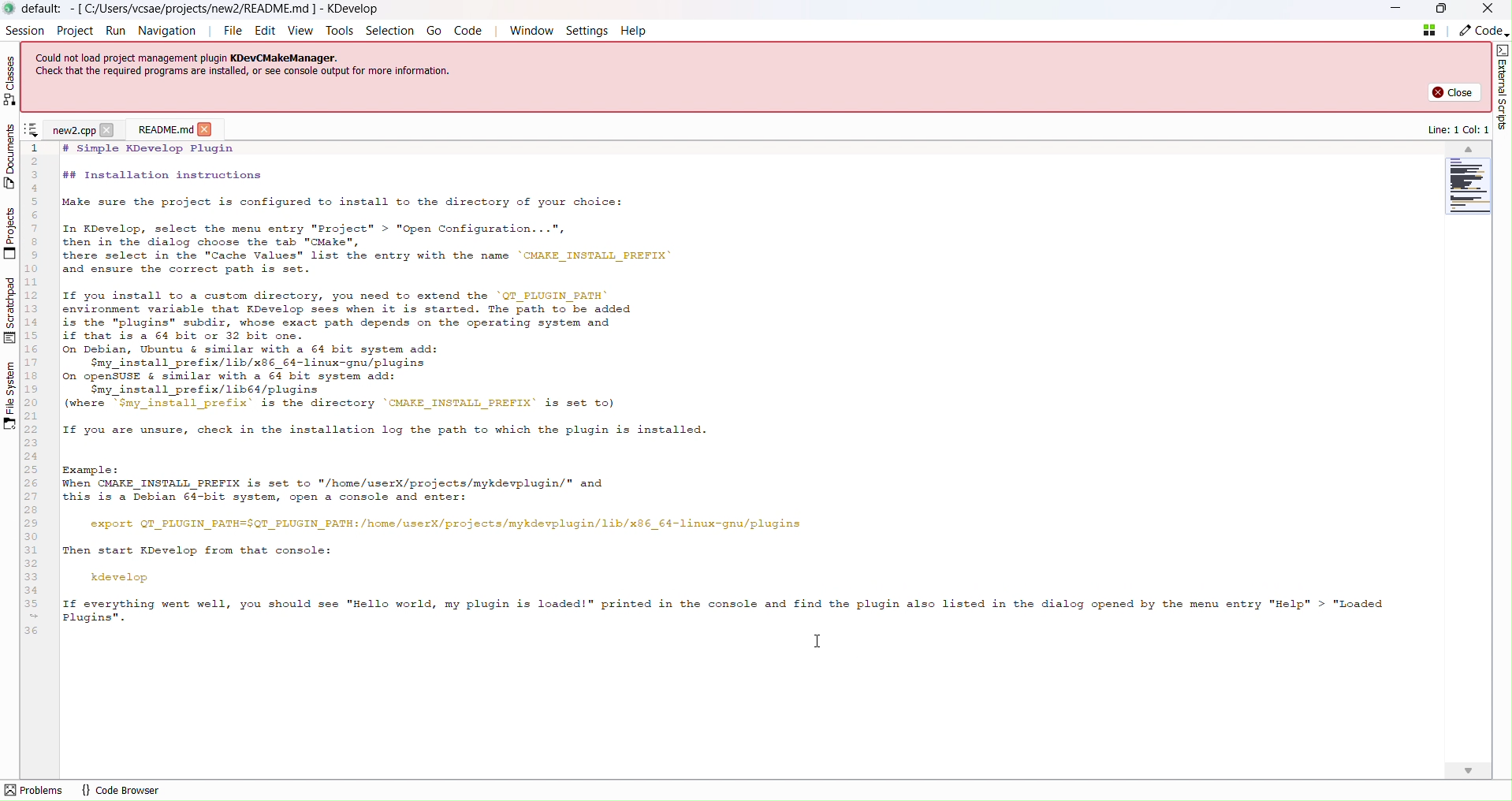  I want to click on could not load project management plugin, so click(689, 76).